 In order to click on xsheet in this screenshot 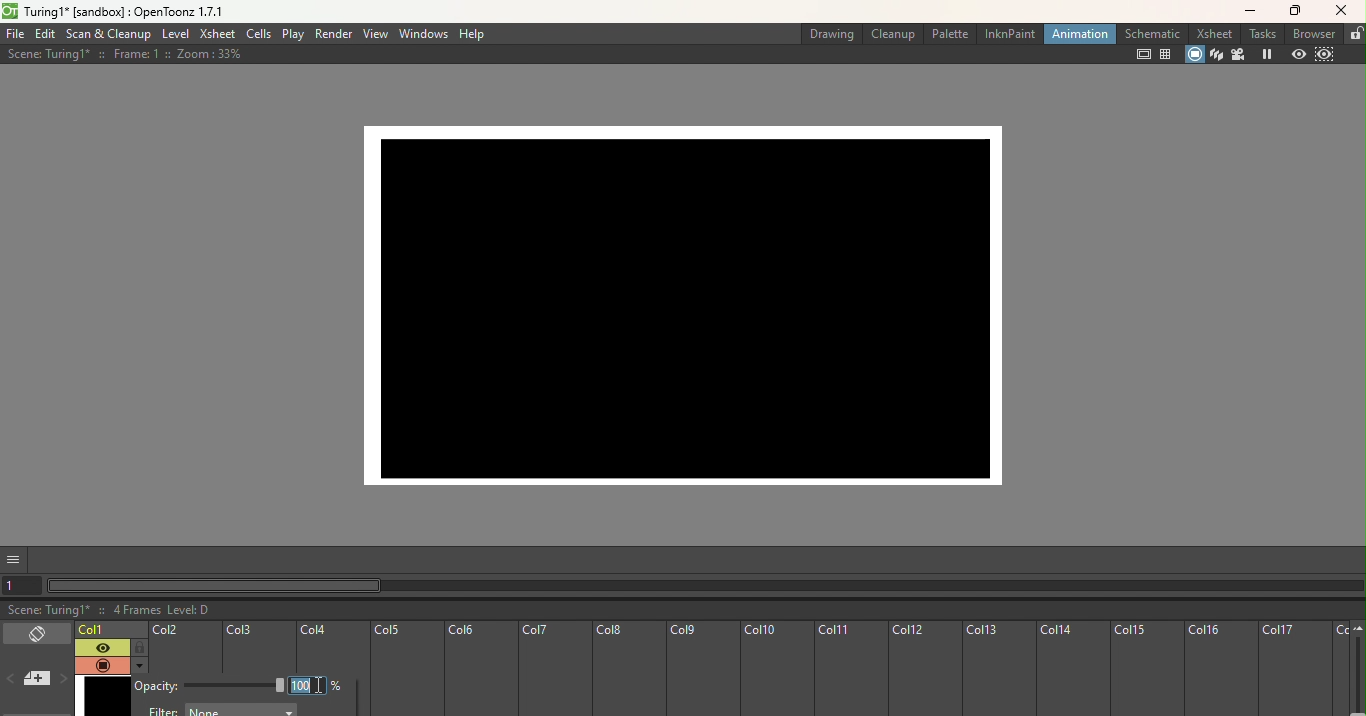, I will do `click(216, 34)`.